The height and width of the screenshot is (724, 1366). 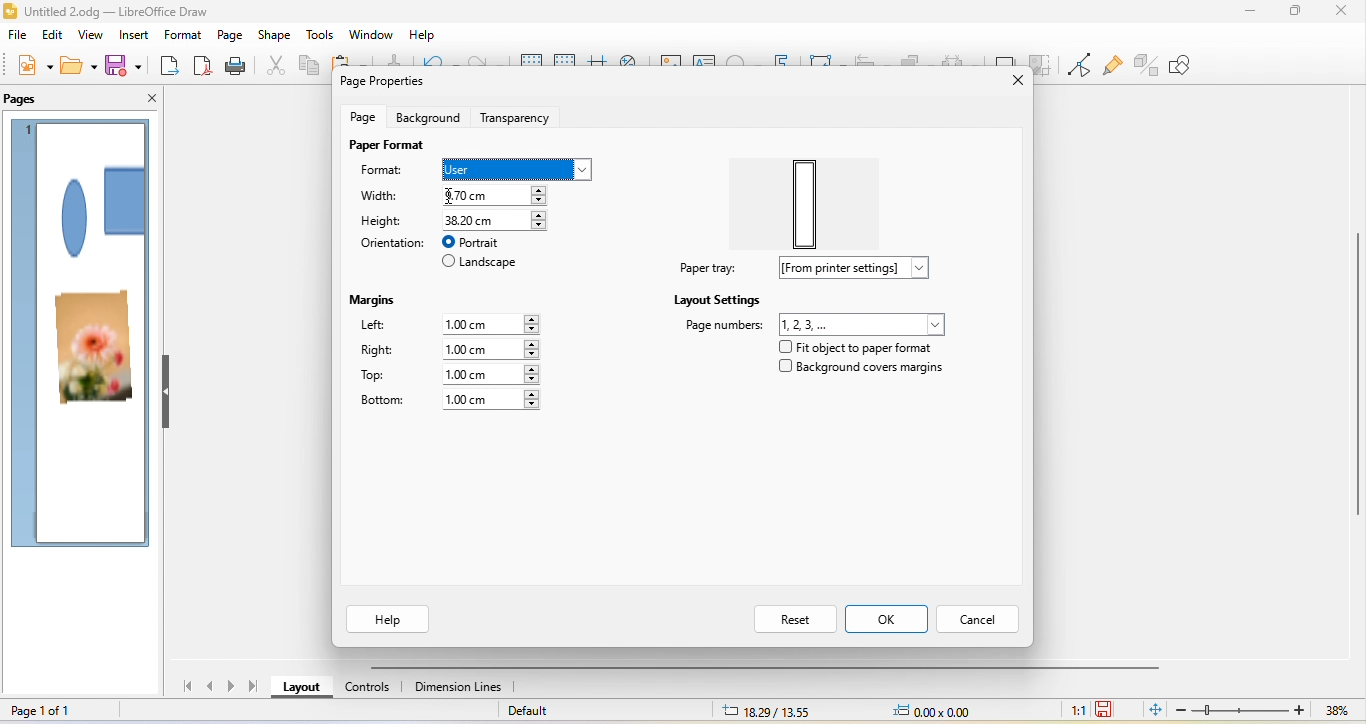 What do you see at coordinates (1074, 711) in the screenshot?
I see `1:1` at bounding box center [1074, 711].